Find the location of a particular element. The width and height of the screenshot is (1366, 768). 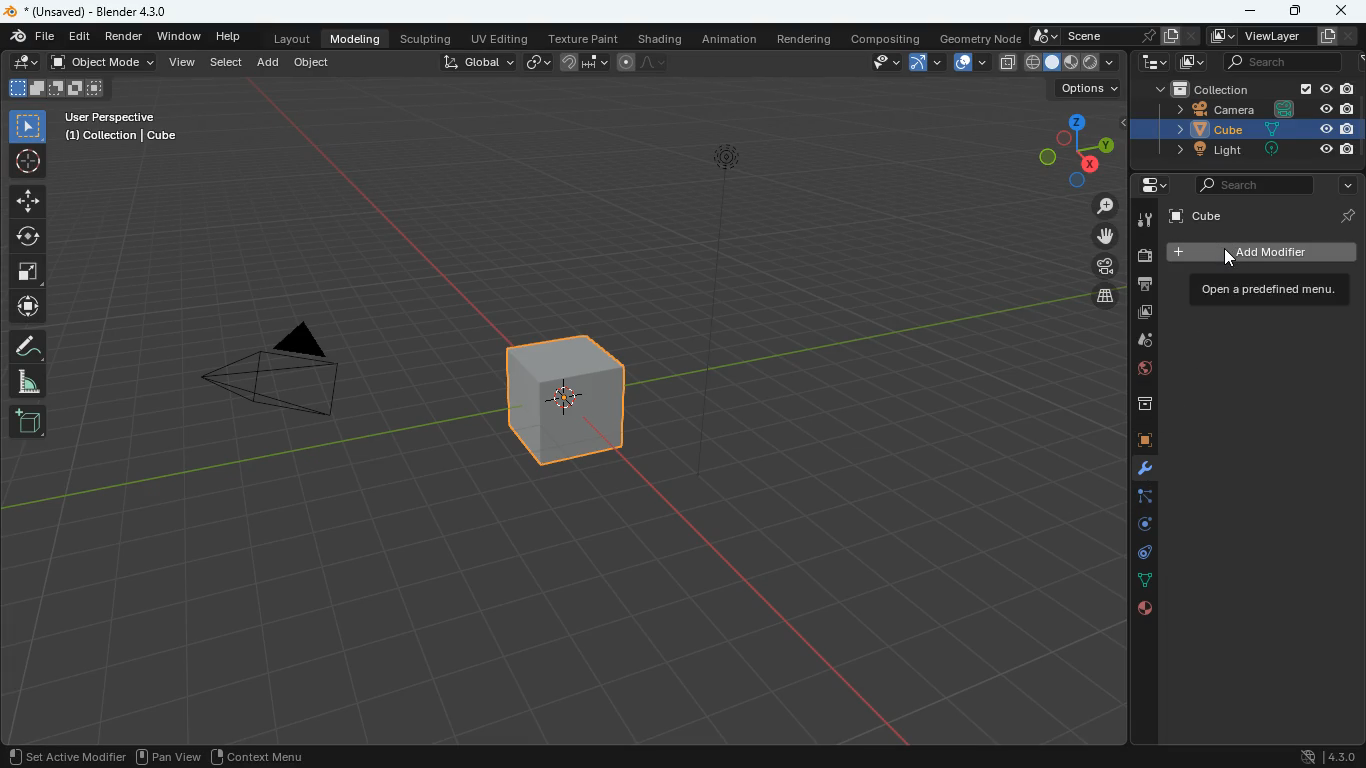

minimize is located at coordinates (1248, 12).